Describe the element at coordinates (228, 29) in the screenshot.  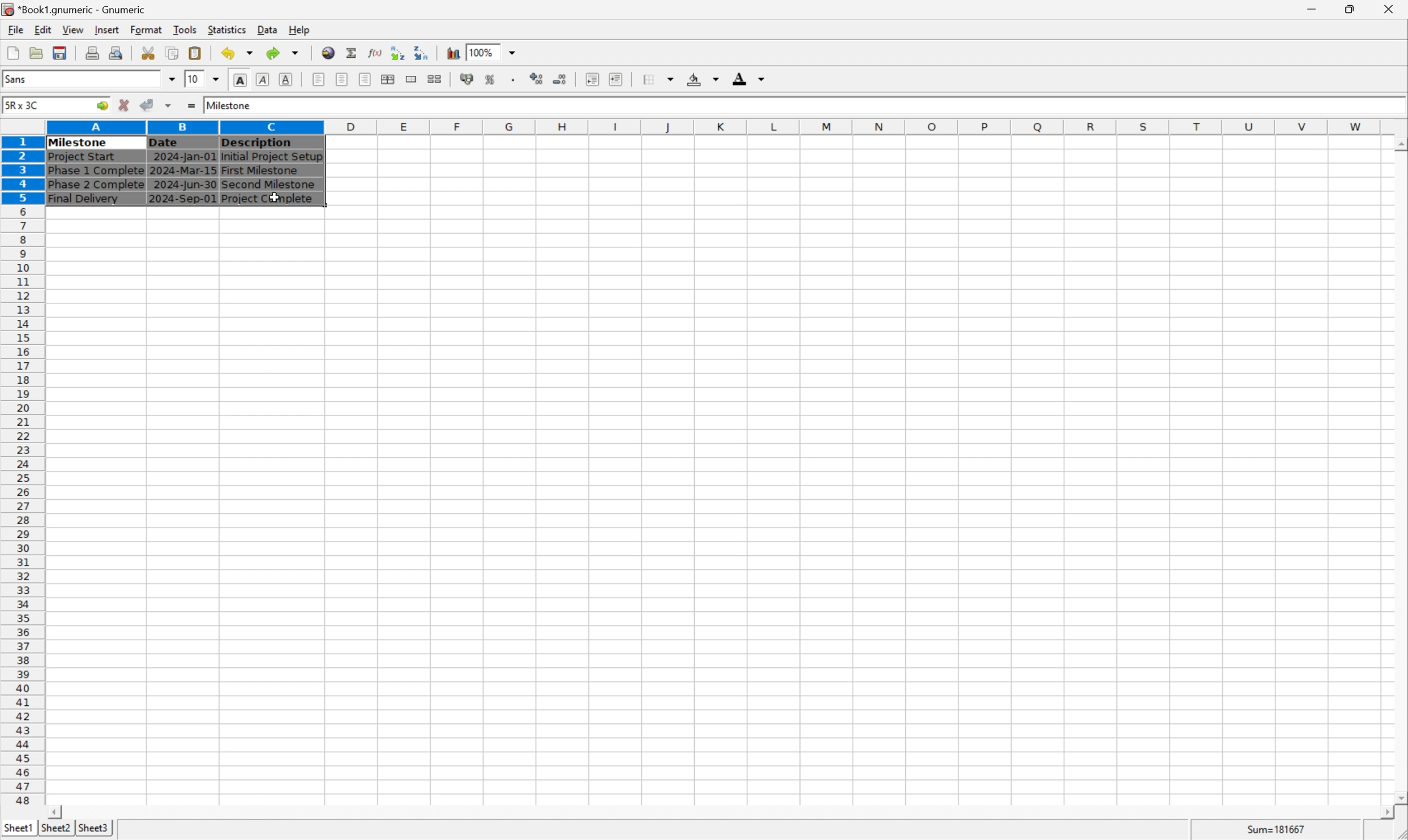
I see `statistics` at that location.